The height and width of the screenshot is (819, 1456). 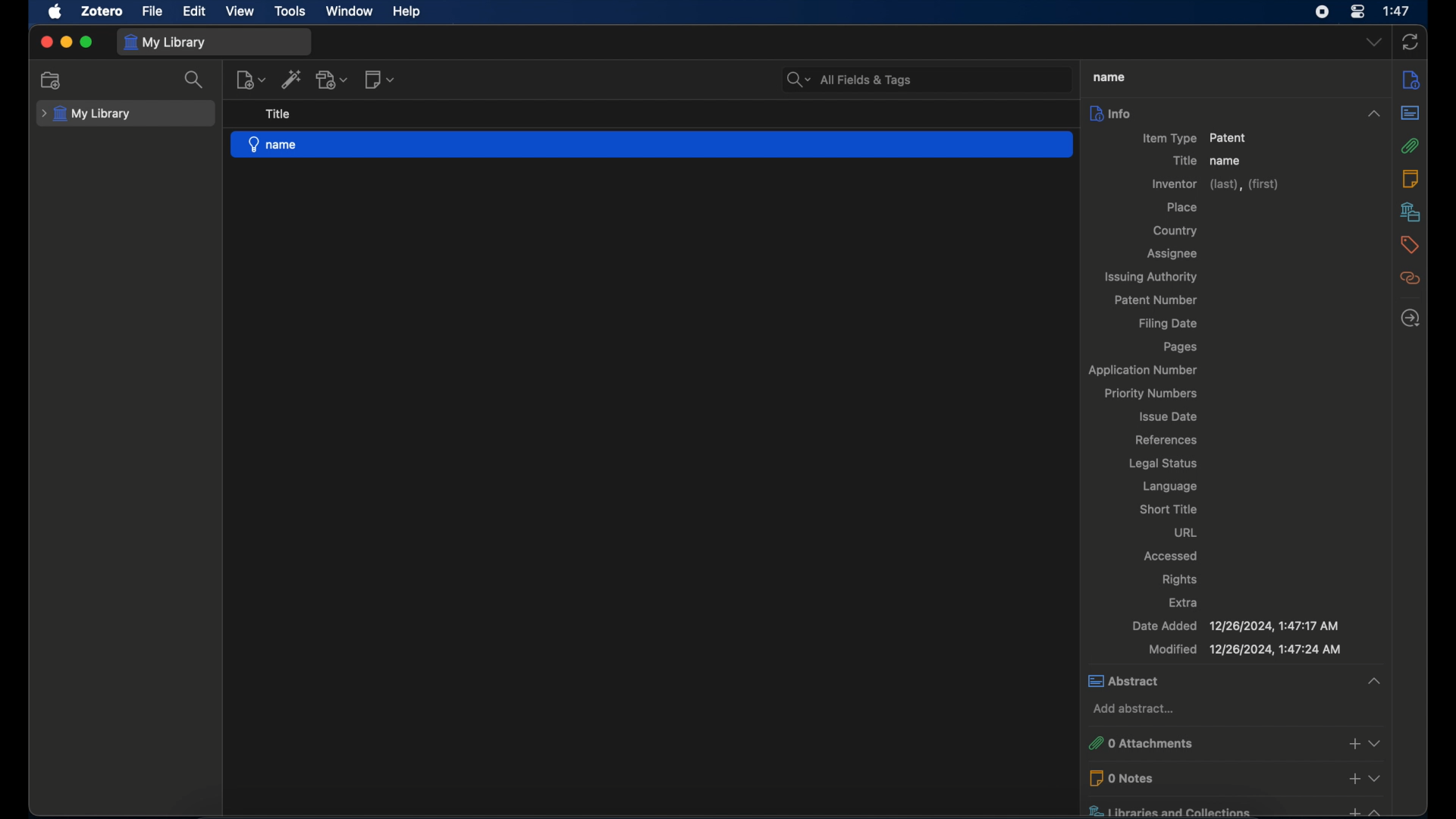 What do you see at coordinates (1354, 810) in the screenshot?
I see `add` at bounding box center [1354, 810].